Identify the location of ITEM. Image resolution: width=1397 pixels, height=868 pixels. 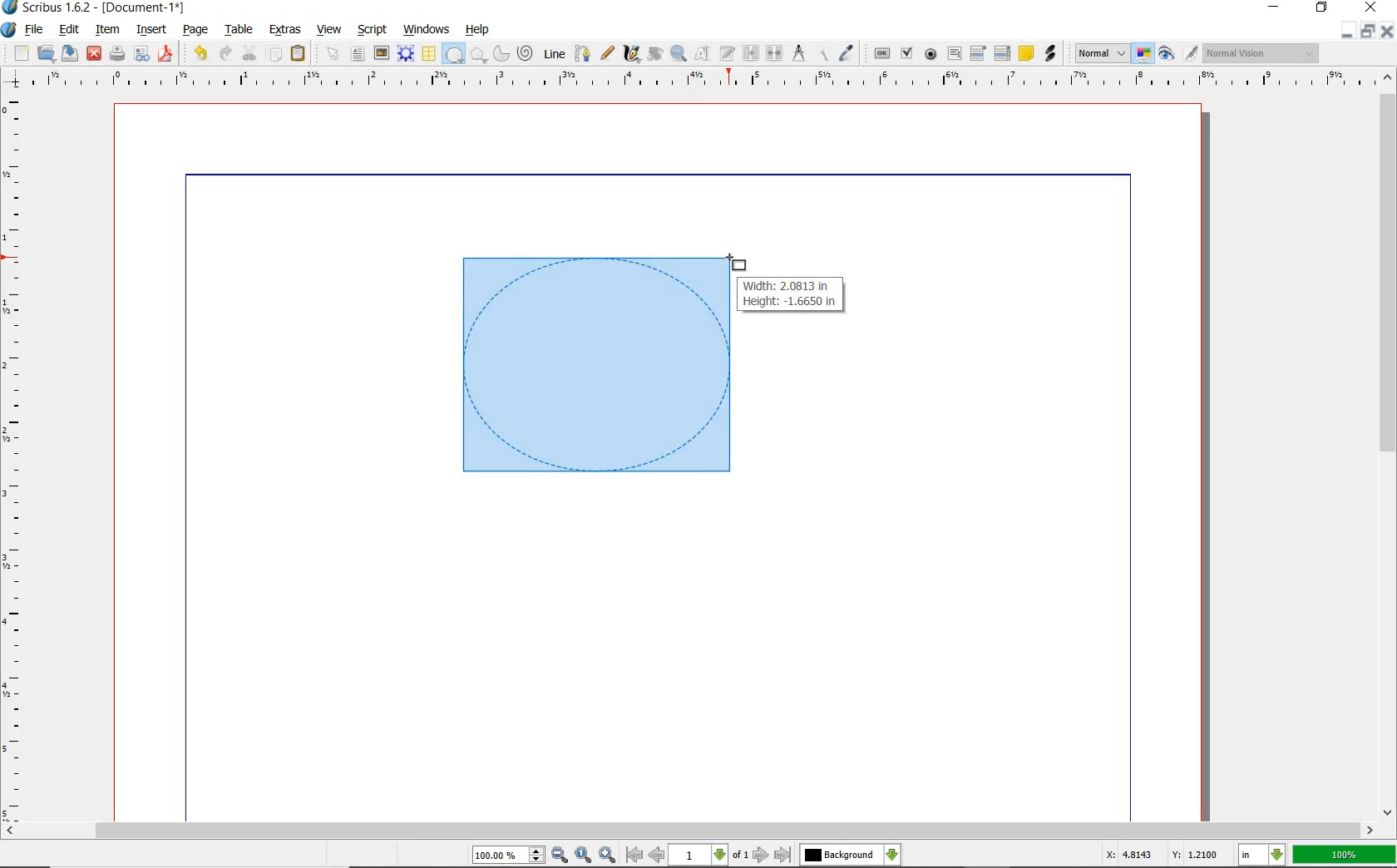
(108, 28).